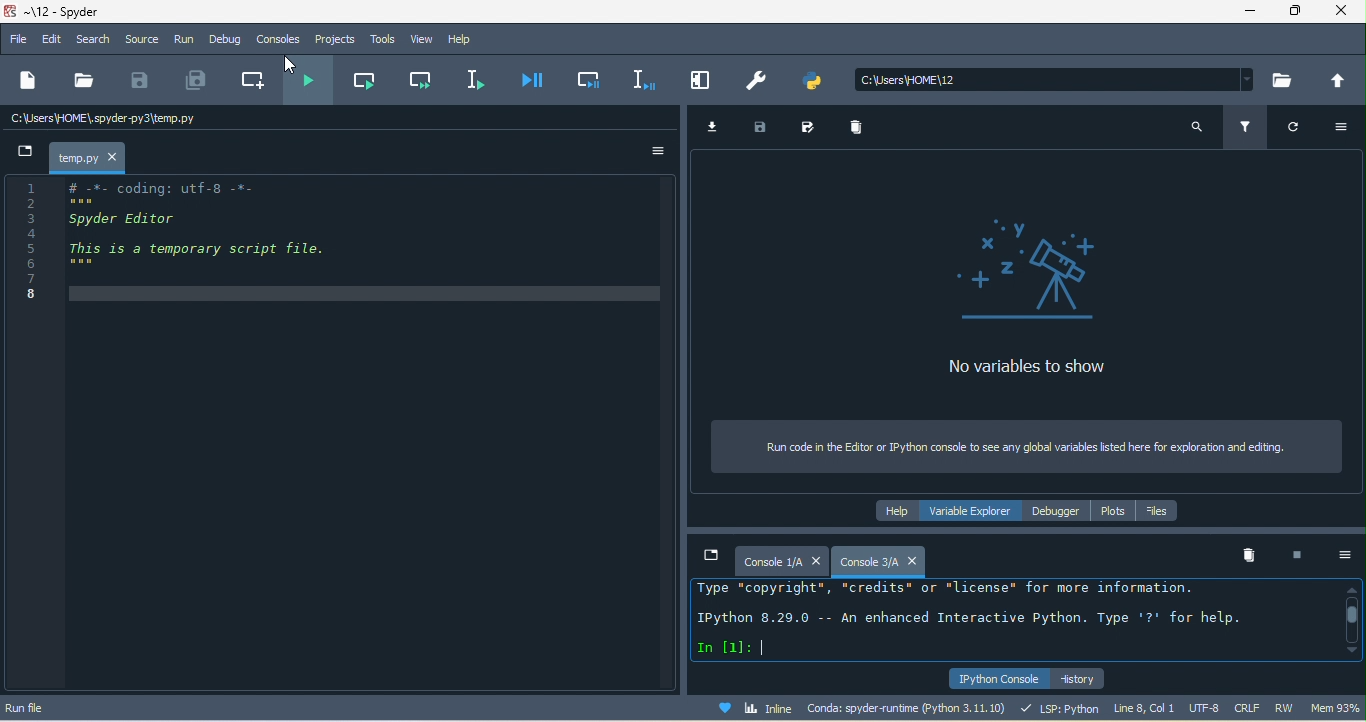 The height and width of the screenshot is (722, 1366). What do you see at coordinates (84, 12) in the screenshot?
I see `title` at bounding box center [84, 12].